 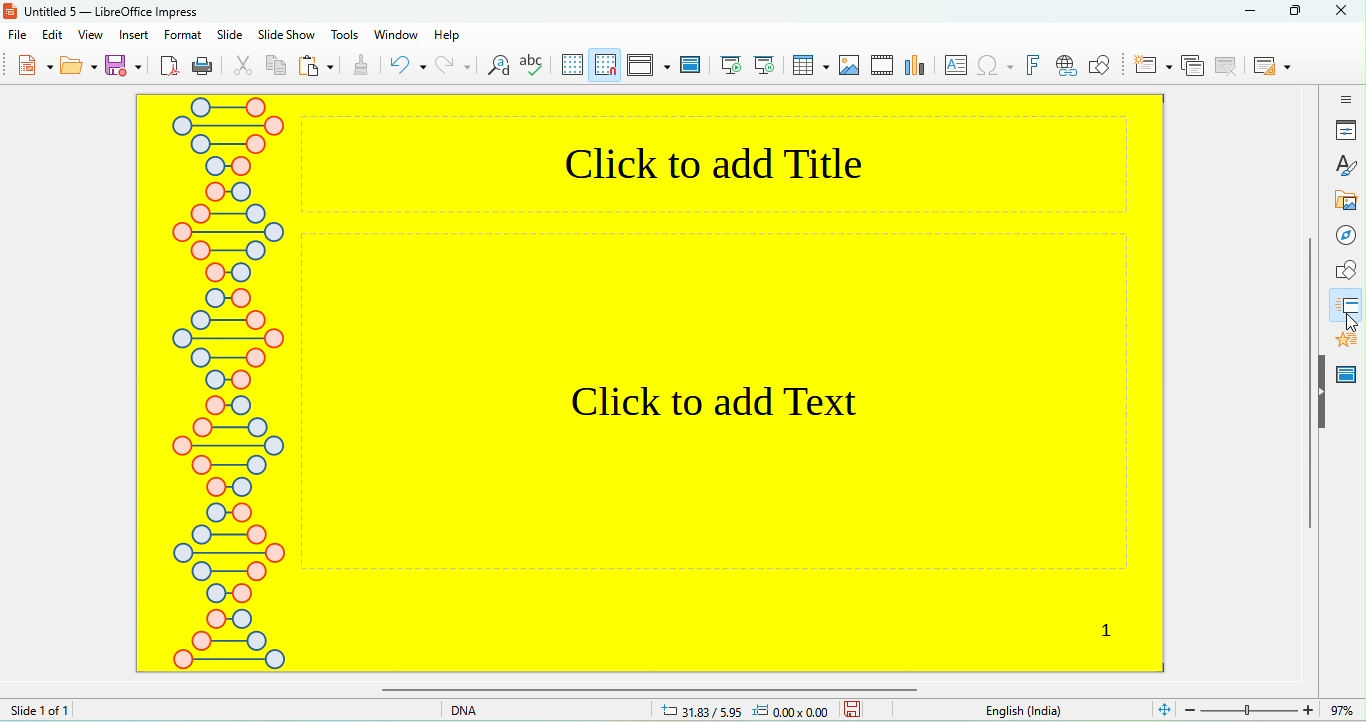 What do you see at coordinates (227, 35) in the screenshot?
I see `slide` at bounding box center [227, 35].